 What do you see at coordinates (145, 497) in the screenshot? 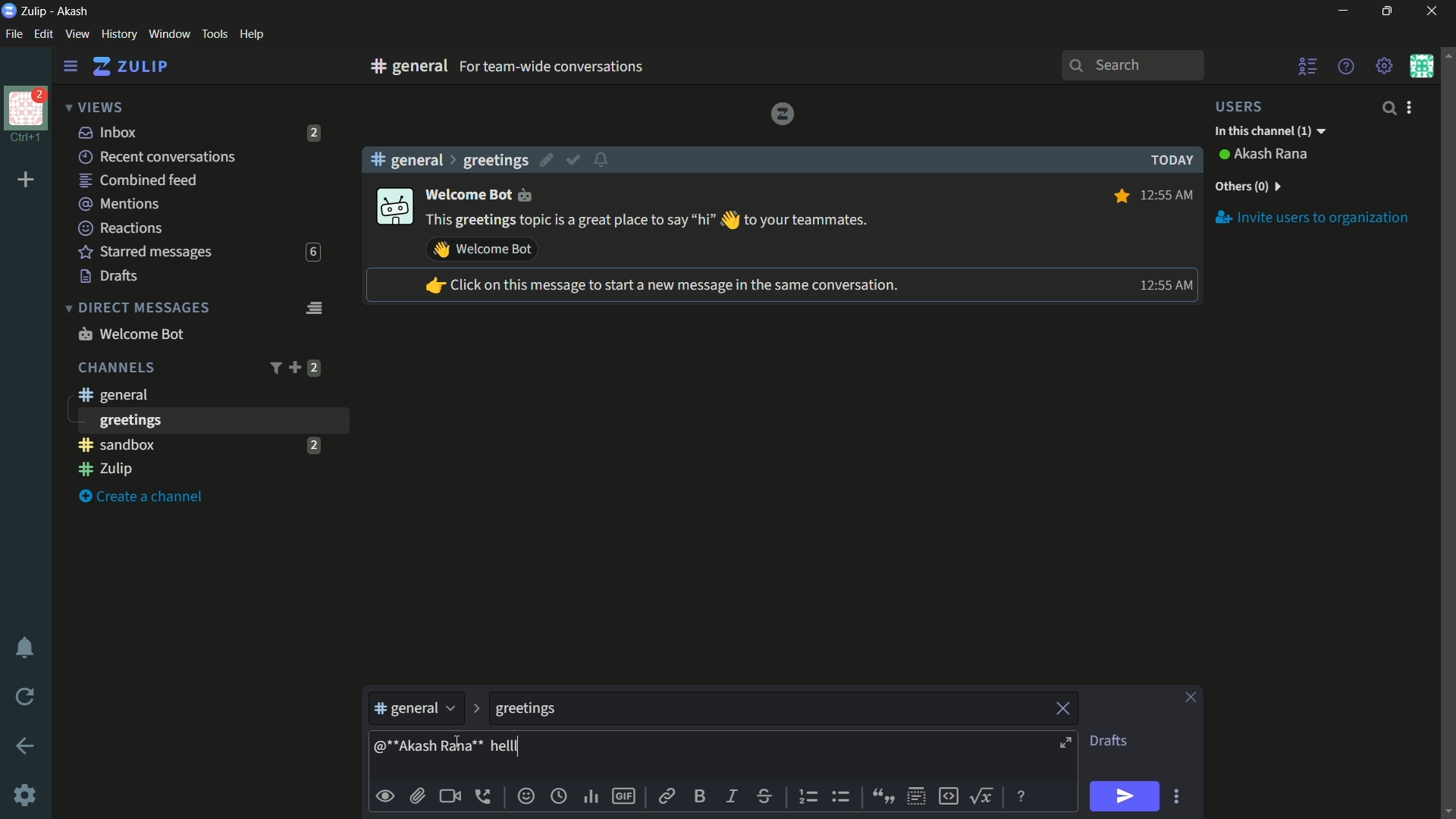
I see `create a channel` at bounding box center [145, 497].